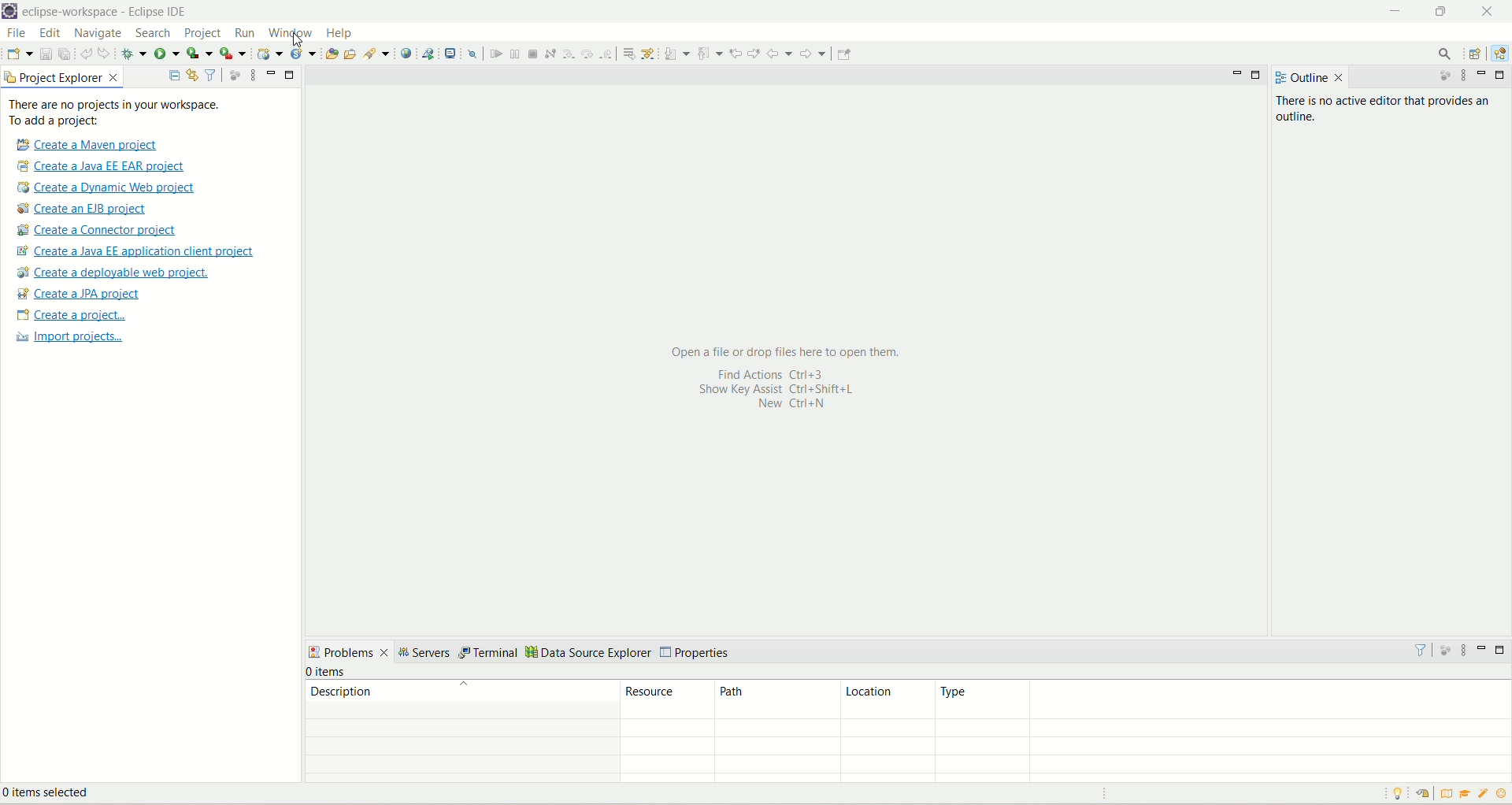  Describe the element at coordinates (1502, 793) in the screenshot. I see `tip of the day` at that location.